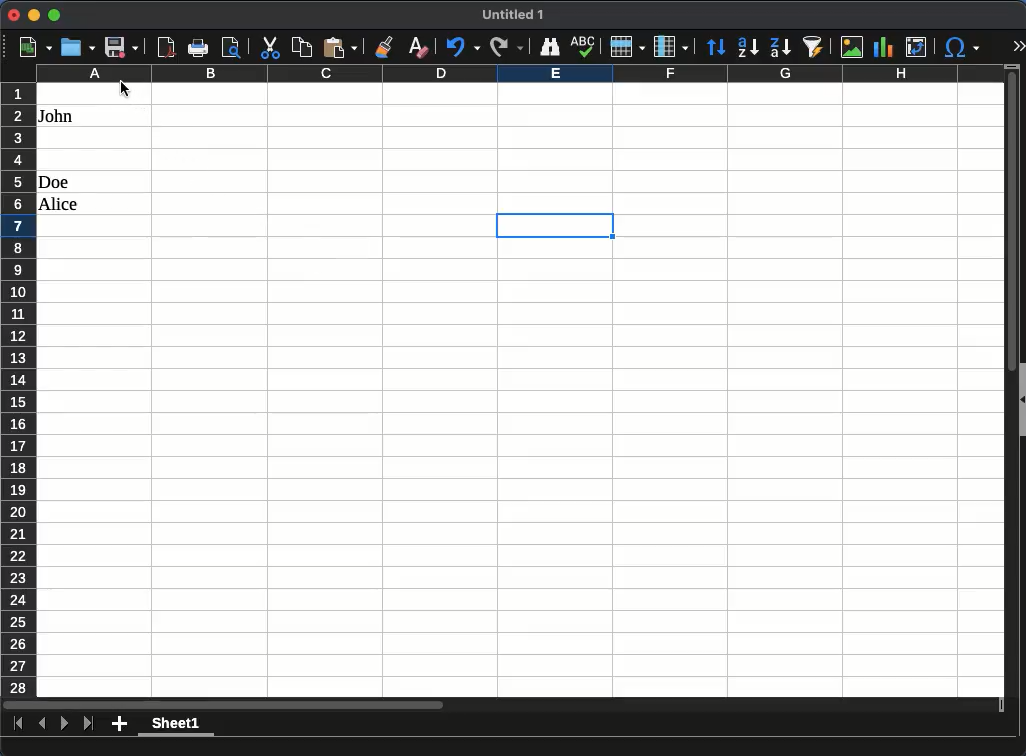 The image size is (1026, 756). What do you see at coordinates (14, 15) in the screenshot?
I see `close` at bounding box center [14, 15].